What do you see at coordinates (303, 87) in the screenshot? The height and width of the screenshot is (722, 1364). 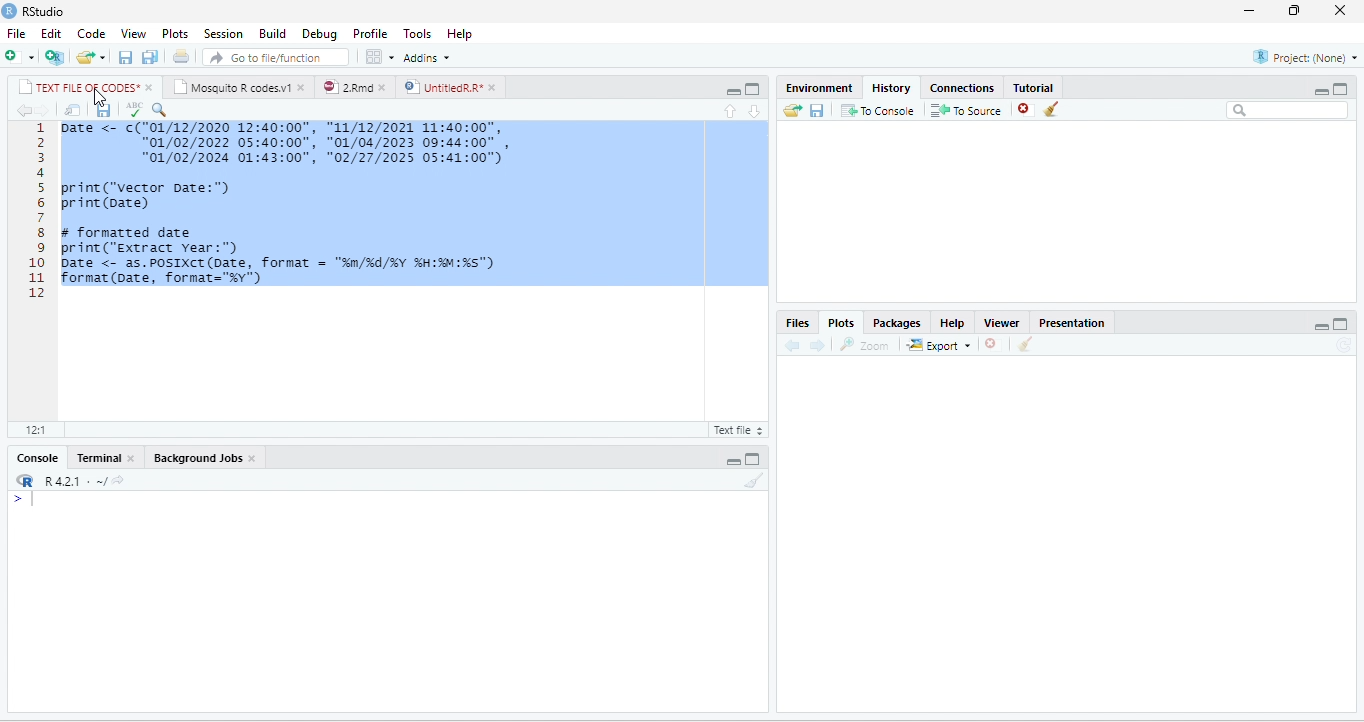 I see `close` at bounding box center [303, 87].